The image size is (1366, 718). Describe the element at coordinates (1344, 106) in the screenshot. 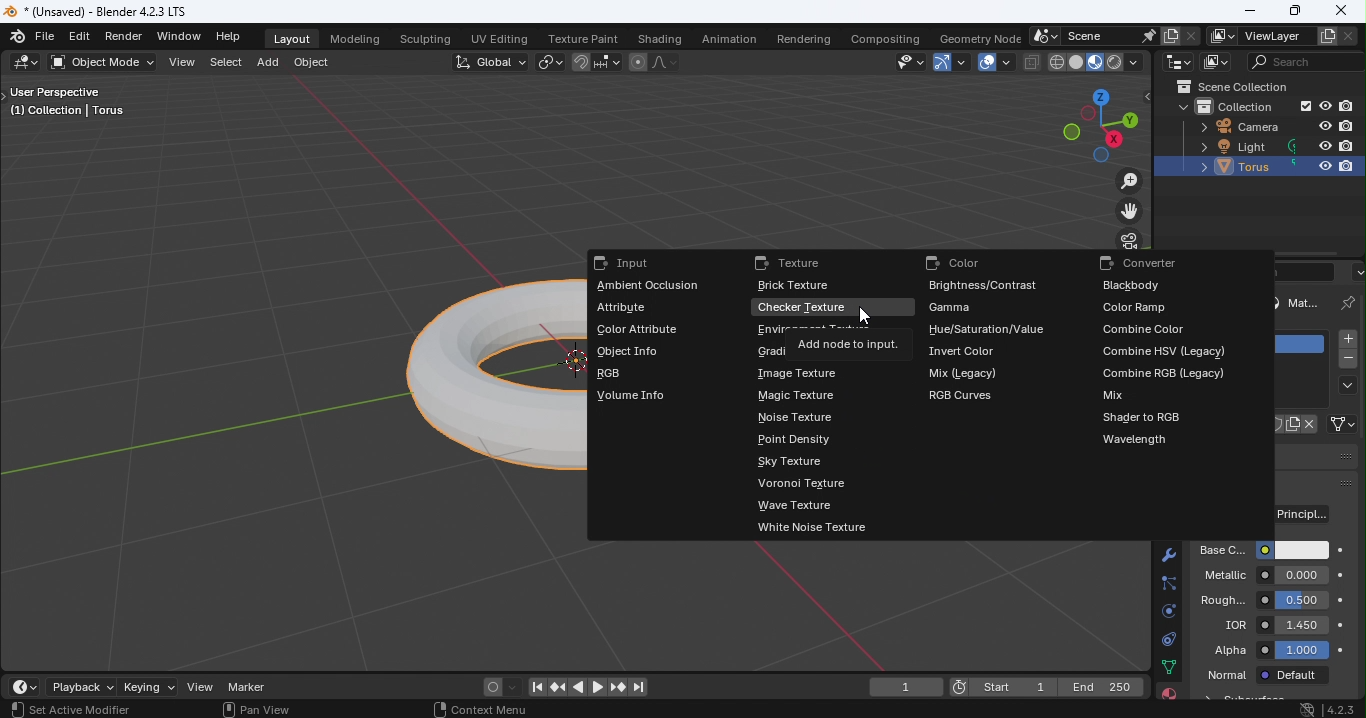

I see `Disable in renders` at that location.